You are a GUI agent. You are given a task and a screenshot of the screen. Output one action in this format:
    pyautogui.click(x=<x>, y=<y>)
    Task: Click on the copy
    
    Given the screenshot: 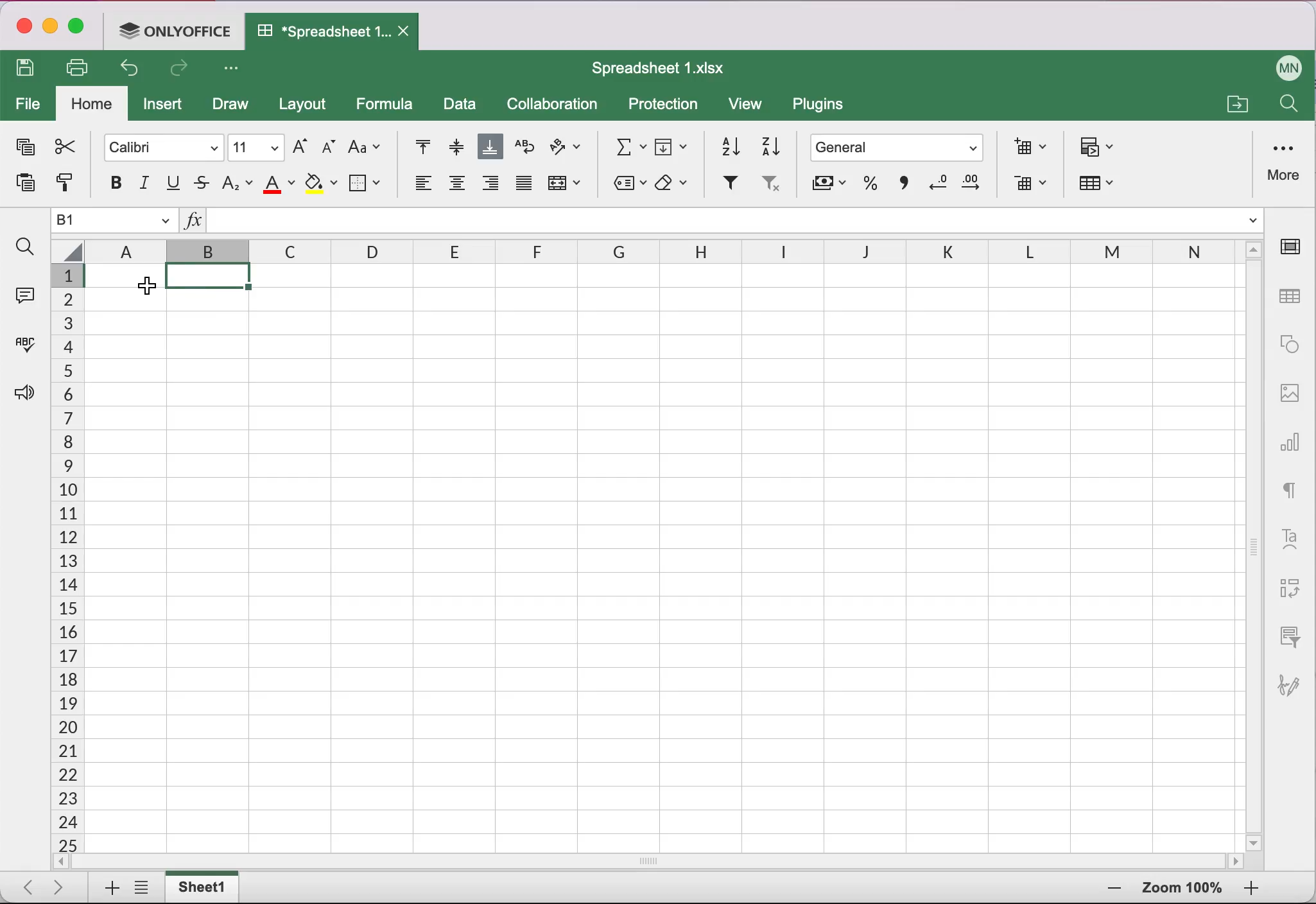 What is the action you would take?
    pyautogui.click(x=23, y=150)
    